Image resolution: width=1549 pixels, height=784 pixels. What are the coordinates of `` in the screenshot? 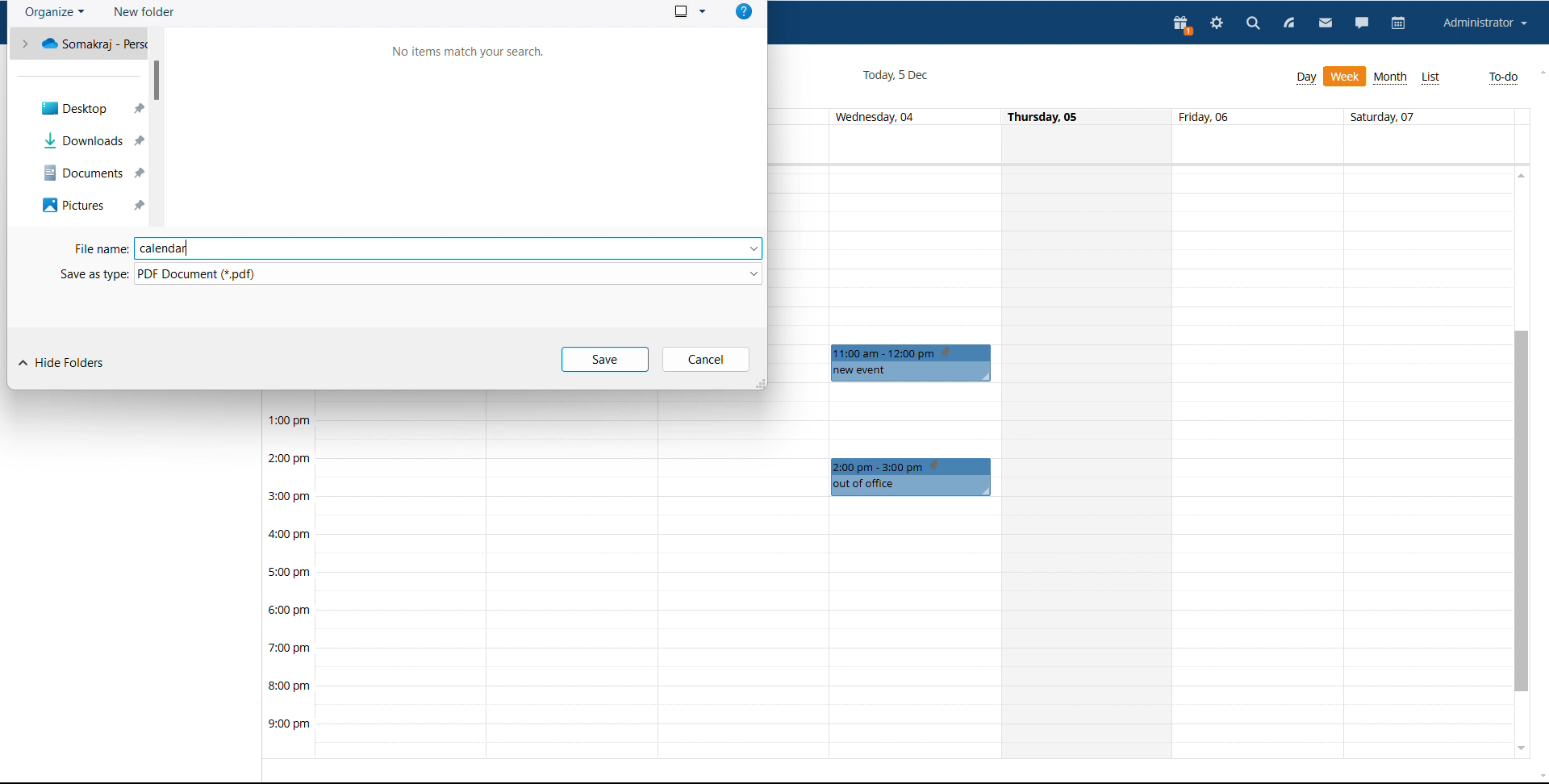 It's located at (91, 207).